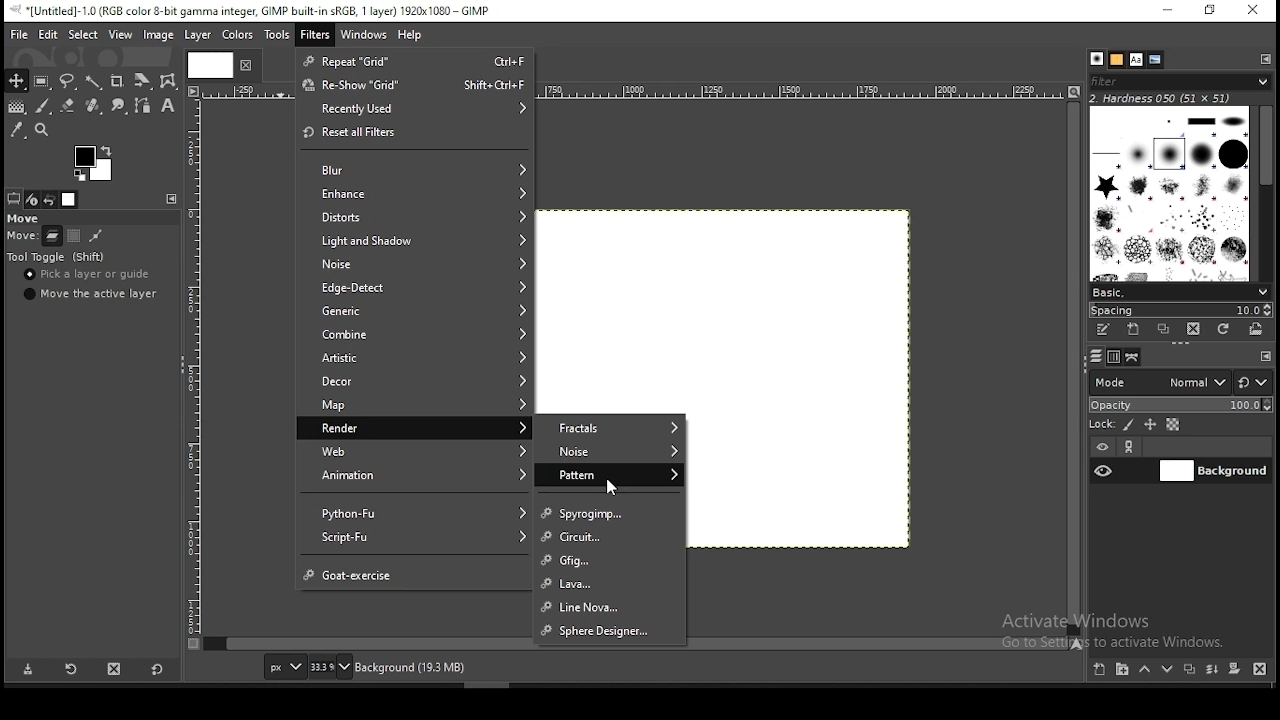 The height and width of the screenshot is (720, 1280). What do you see at coordinates (411, 355) in the screenshot?
I see `artistic` at bounding box center [411, 355].